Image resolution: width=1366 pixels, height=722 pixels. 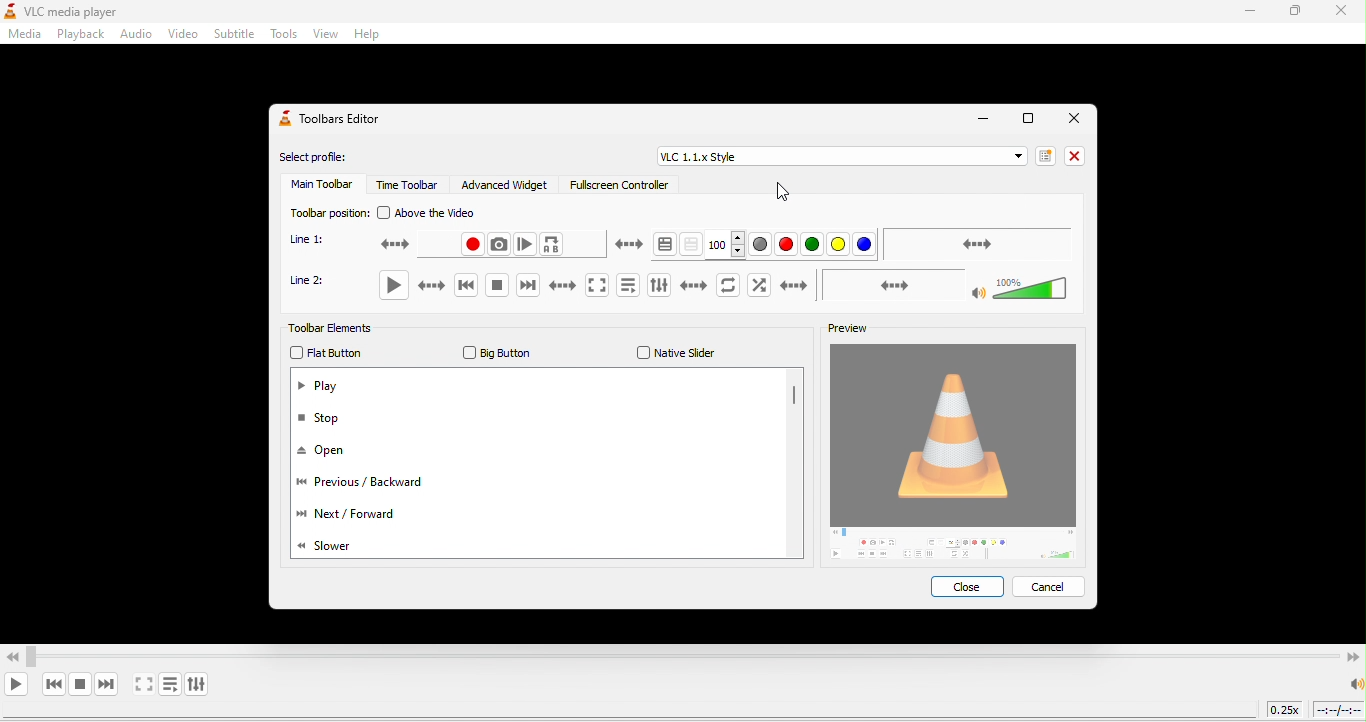 What do you see at coordinates (326, 212) in the screenshot?
I see `toolbar position` at bounding box center [326, 212].